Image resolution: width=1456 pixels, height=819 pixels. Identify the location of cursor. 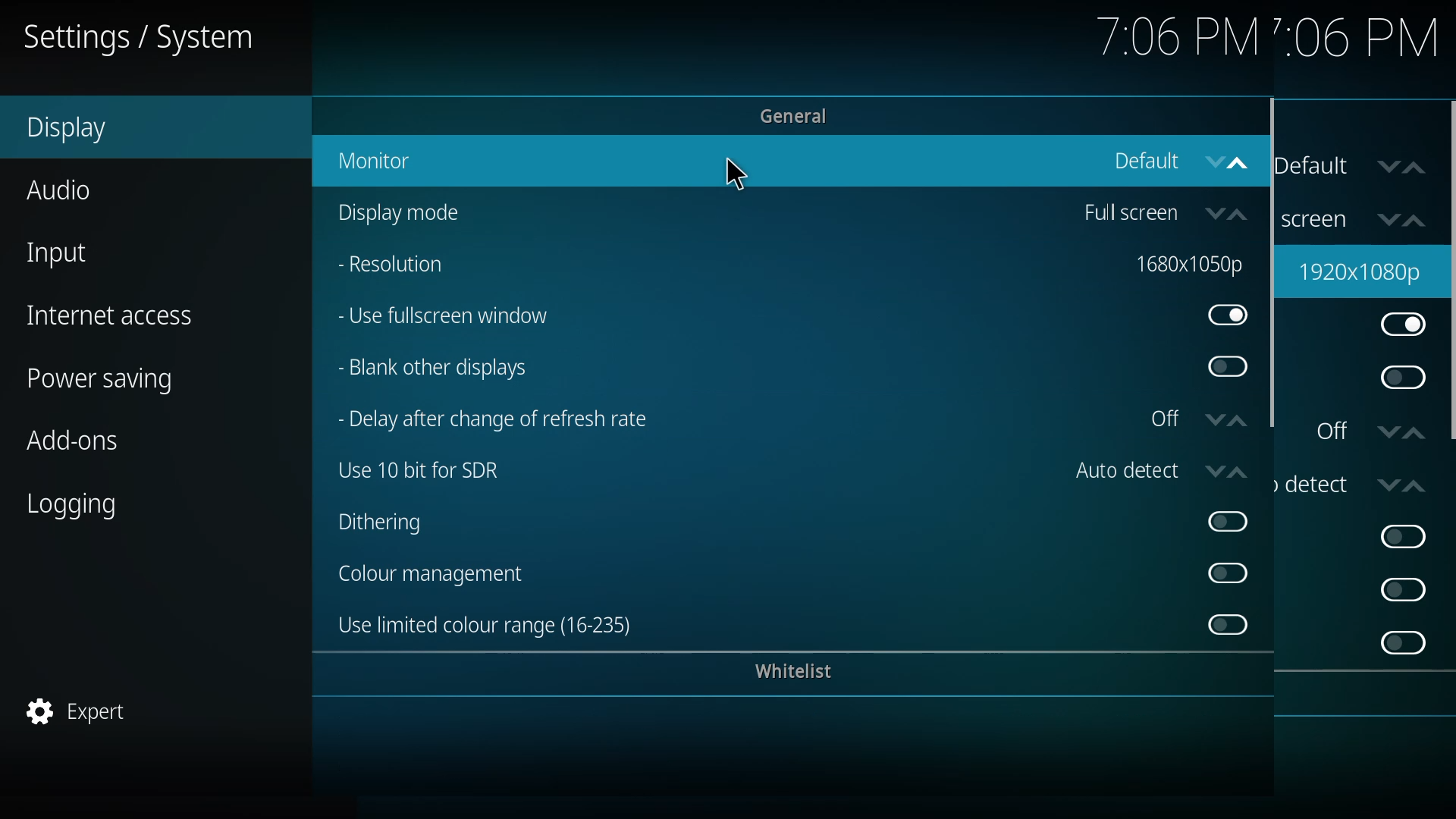
(729, 176).